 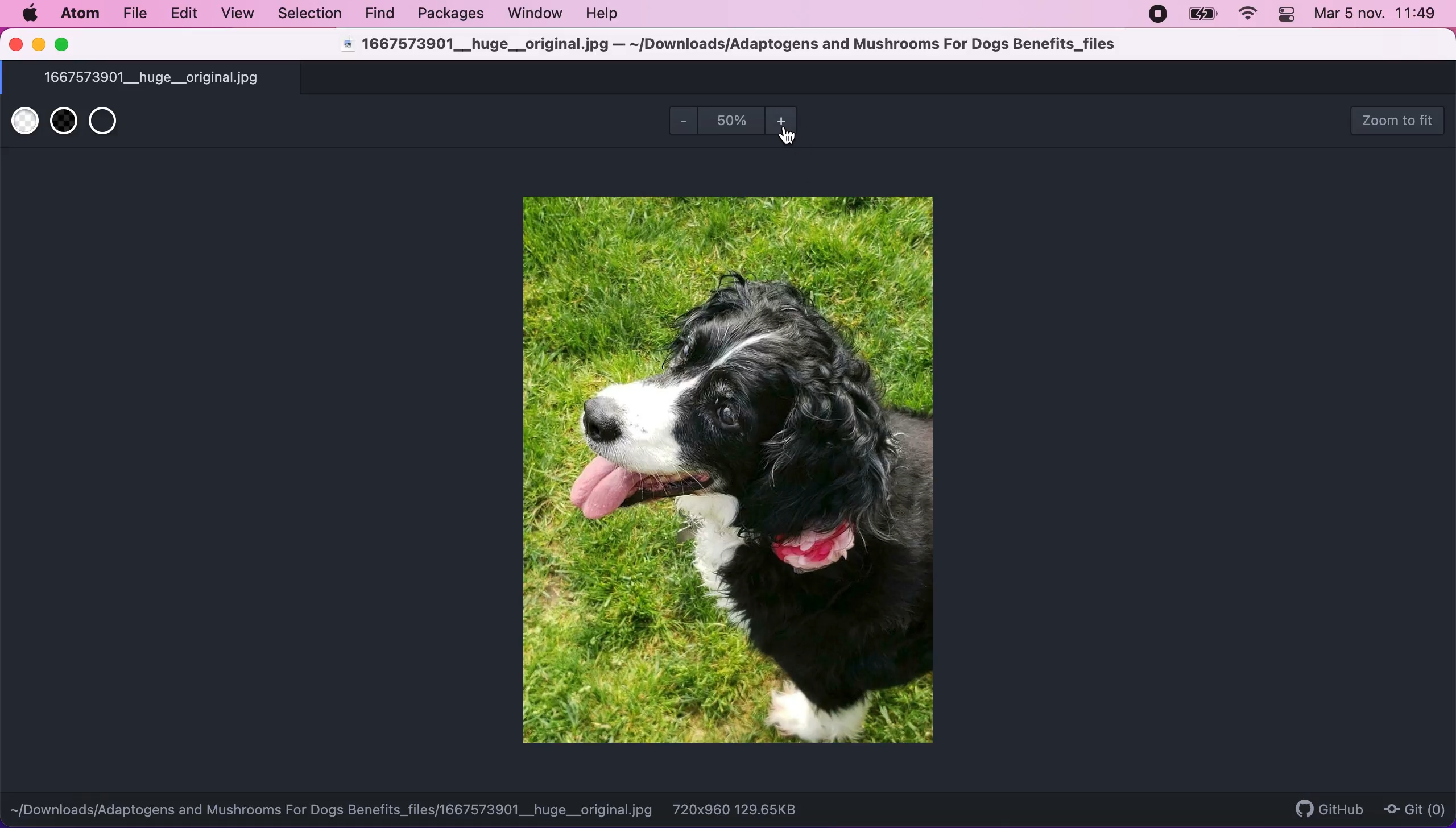 What do you see at coordinates (311, 13) in the screenshot?
I see `selection` at bounding box center [311, 13].